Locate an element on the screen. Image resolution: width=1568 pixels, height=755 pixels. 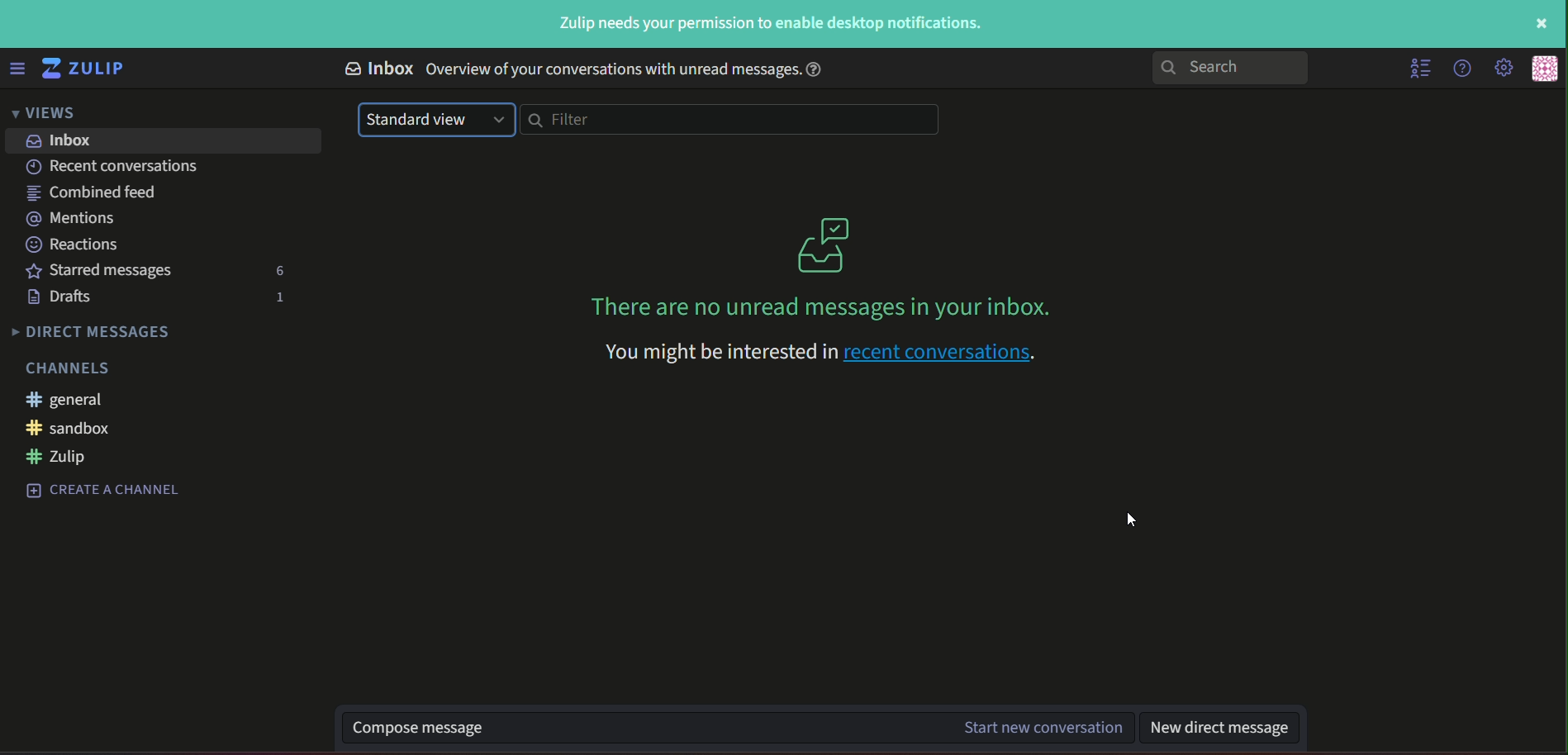
create a channel is located at coordinates (107, 490).